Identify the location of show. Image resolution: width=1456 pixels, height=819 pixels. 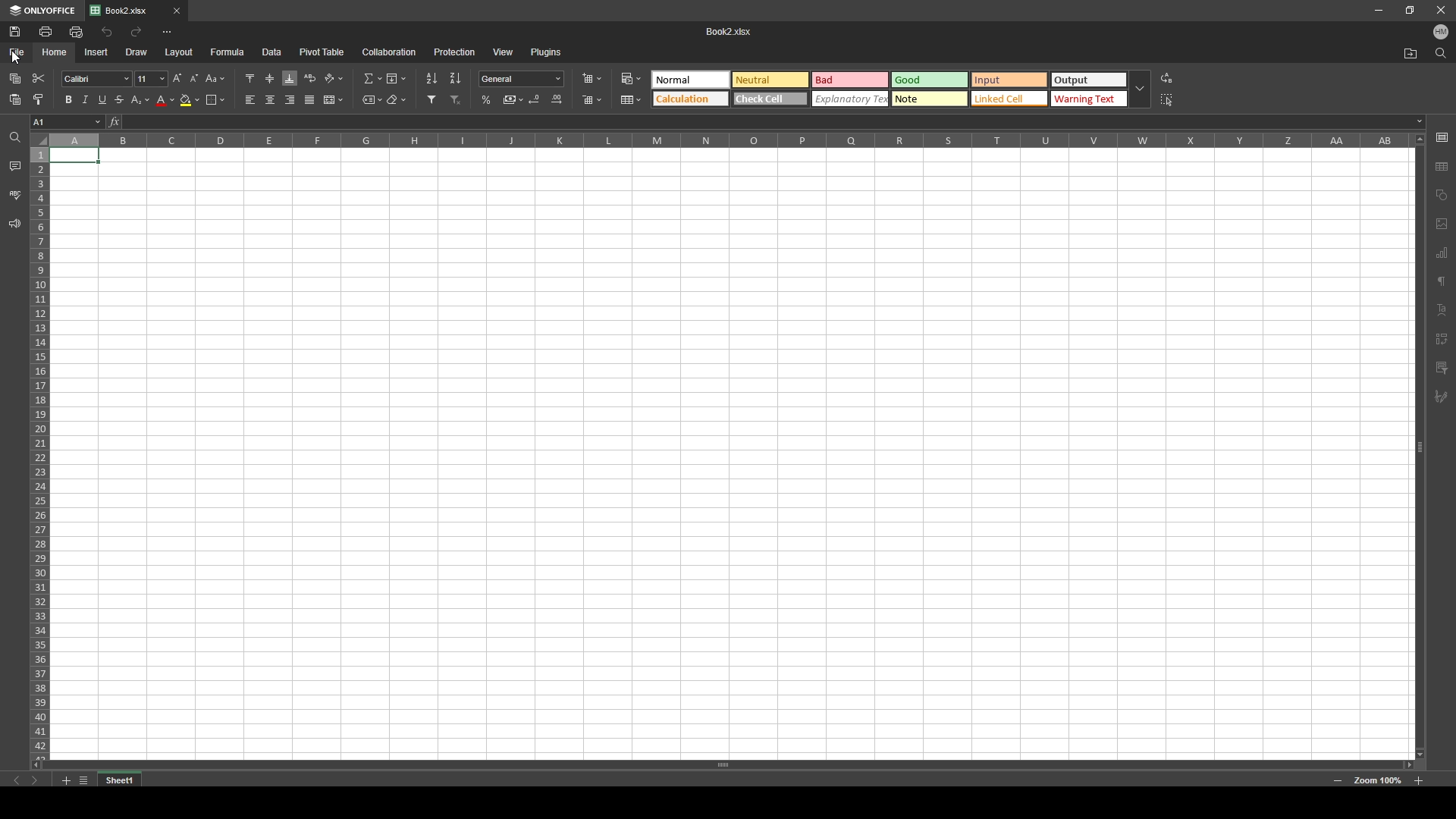
(1139, 89).